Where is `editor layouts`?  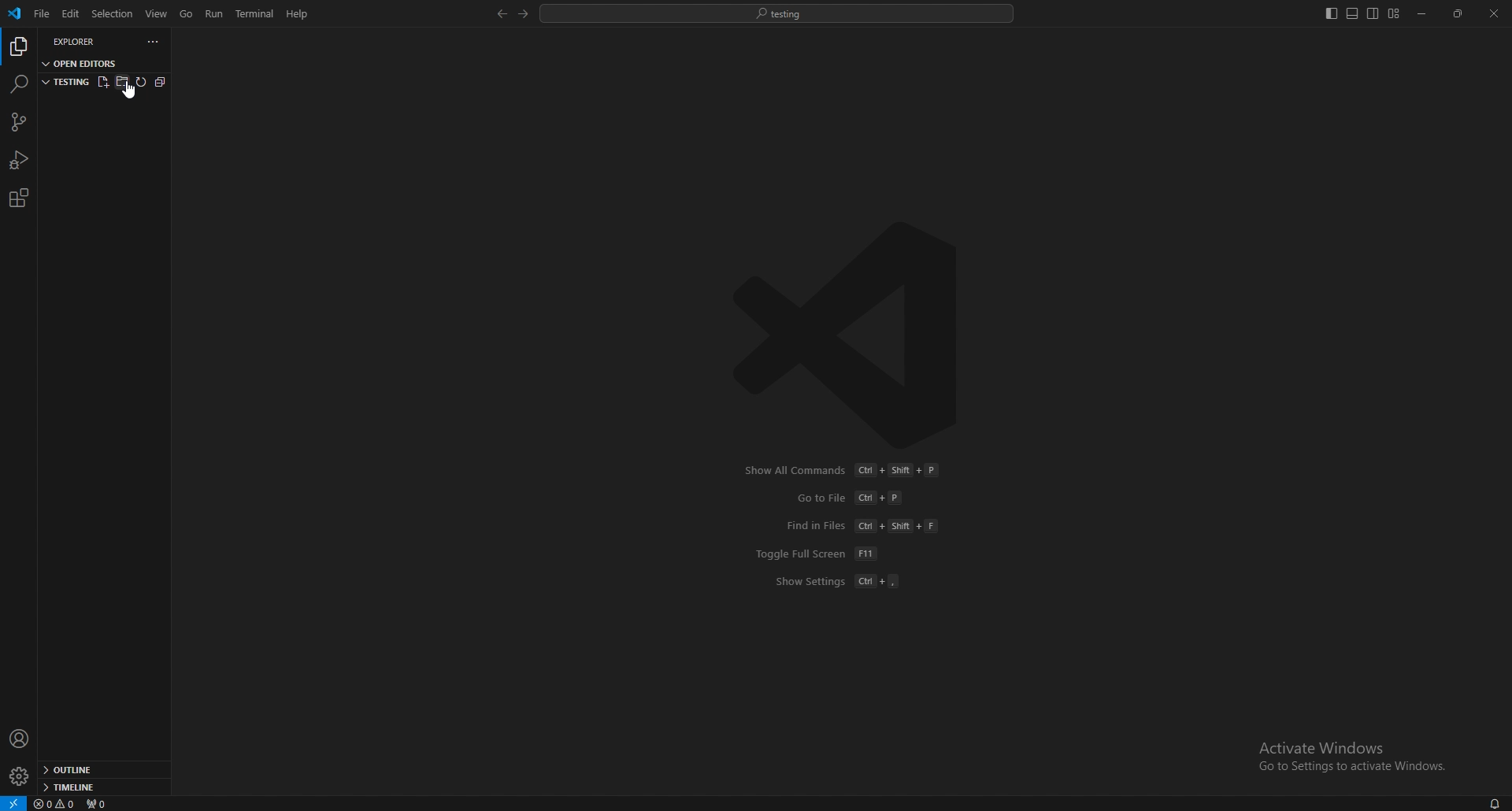 editor layouts is located at coordinates (1362, 13).